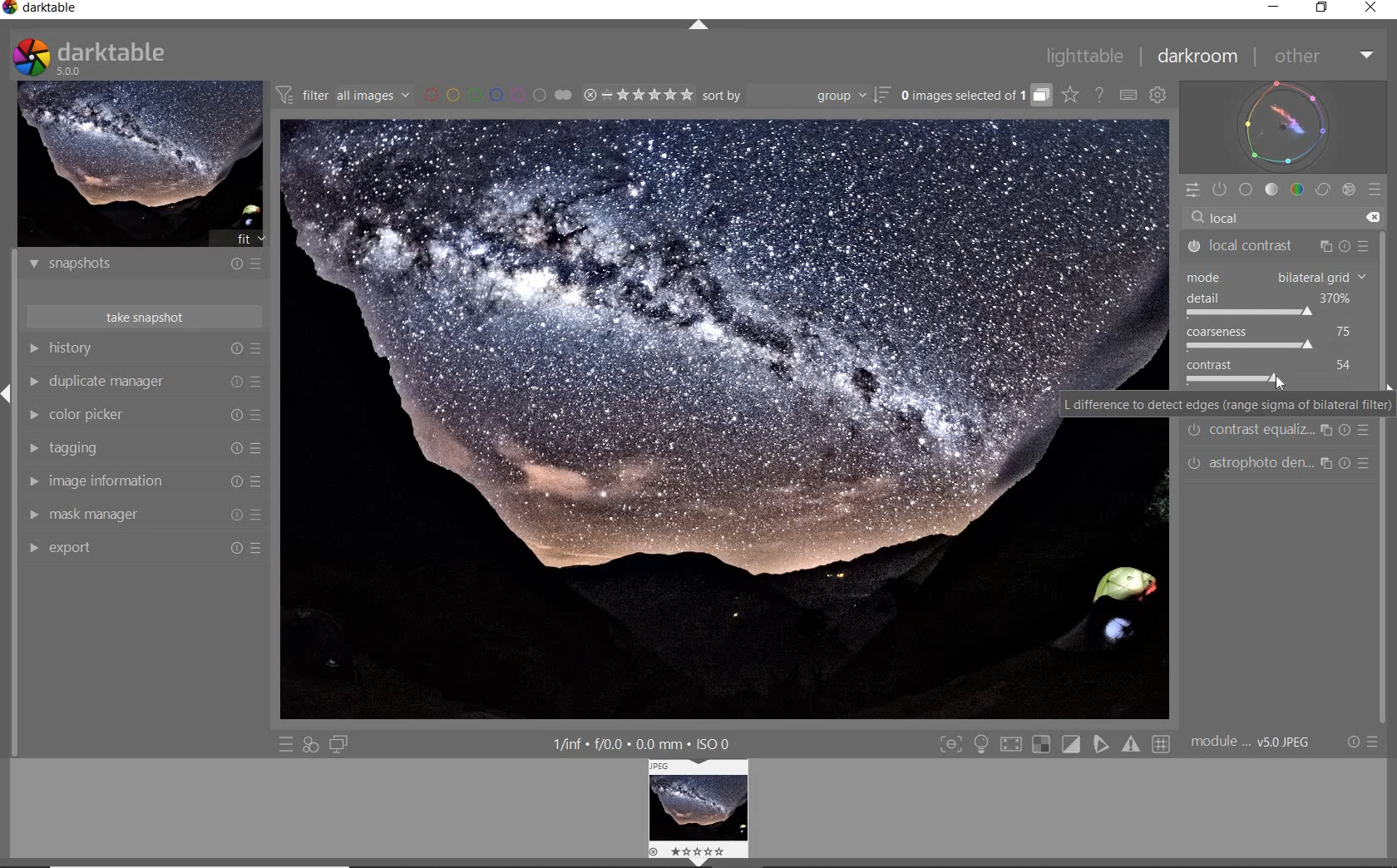  I want to click on Presets and preferences, so click(262, 481).